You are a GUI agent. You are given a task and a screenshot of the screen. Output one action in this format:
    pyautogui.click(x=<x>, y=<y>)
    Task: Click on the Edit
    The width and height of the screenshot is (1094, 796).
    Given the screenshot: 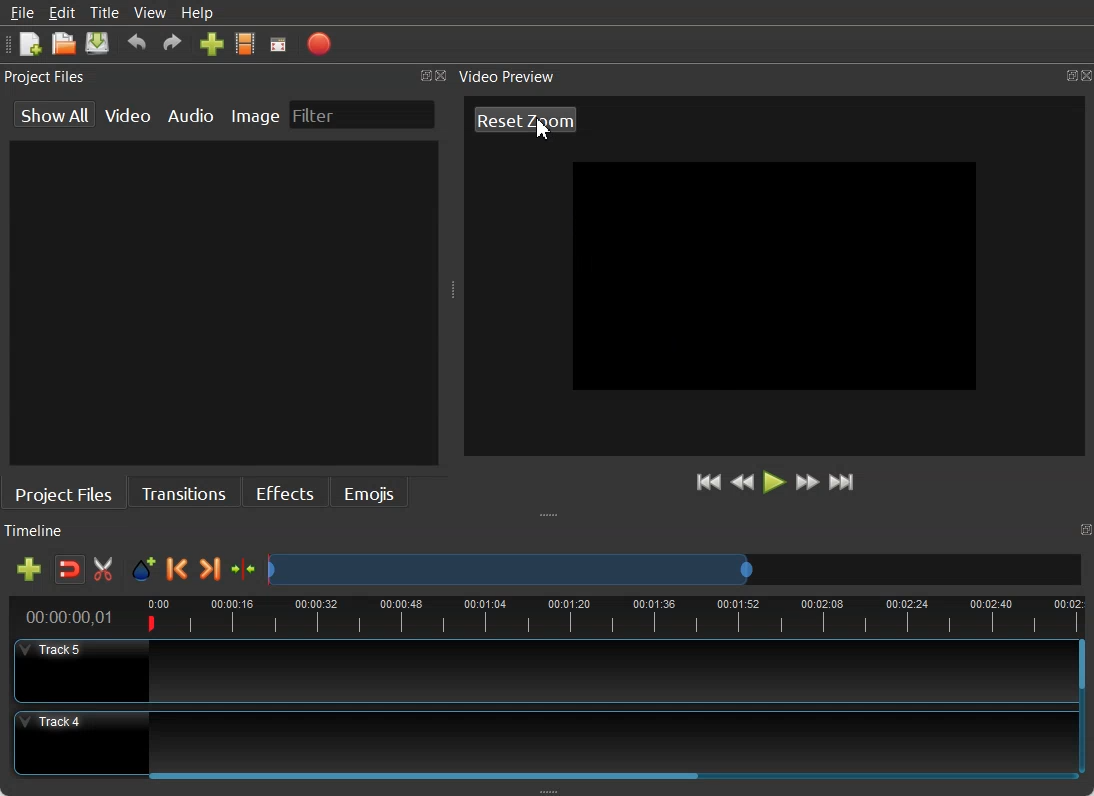 What is the action you would take?
    pyautogui.click(x=63, y=11)
    